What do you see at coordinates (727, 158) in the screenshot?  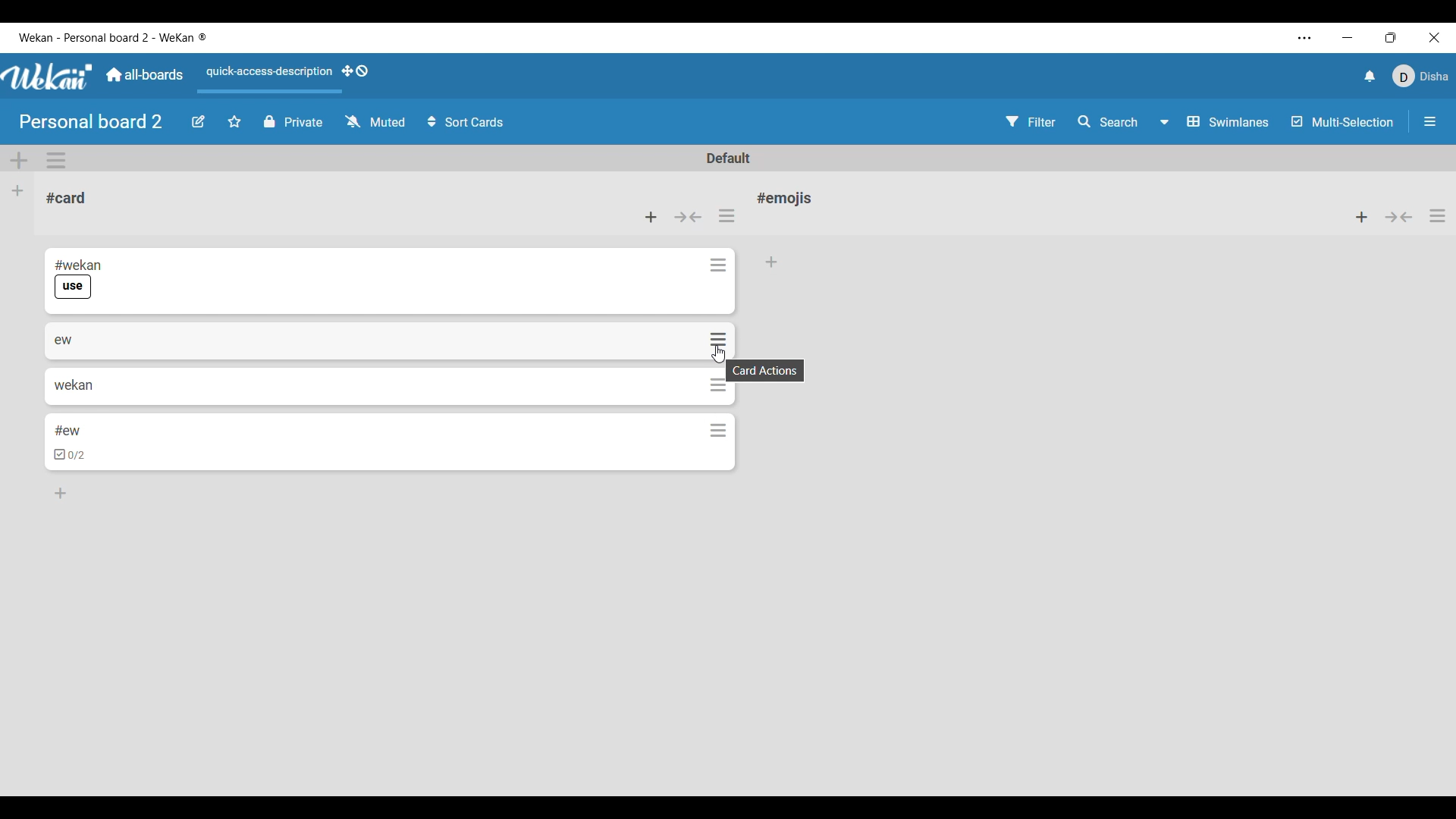 I see `Default` at bounding box center [727, 158].